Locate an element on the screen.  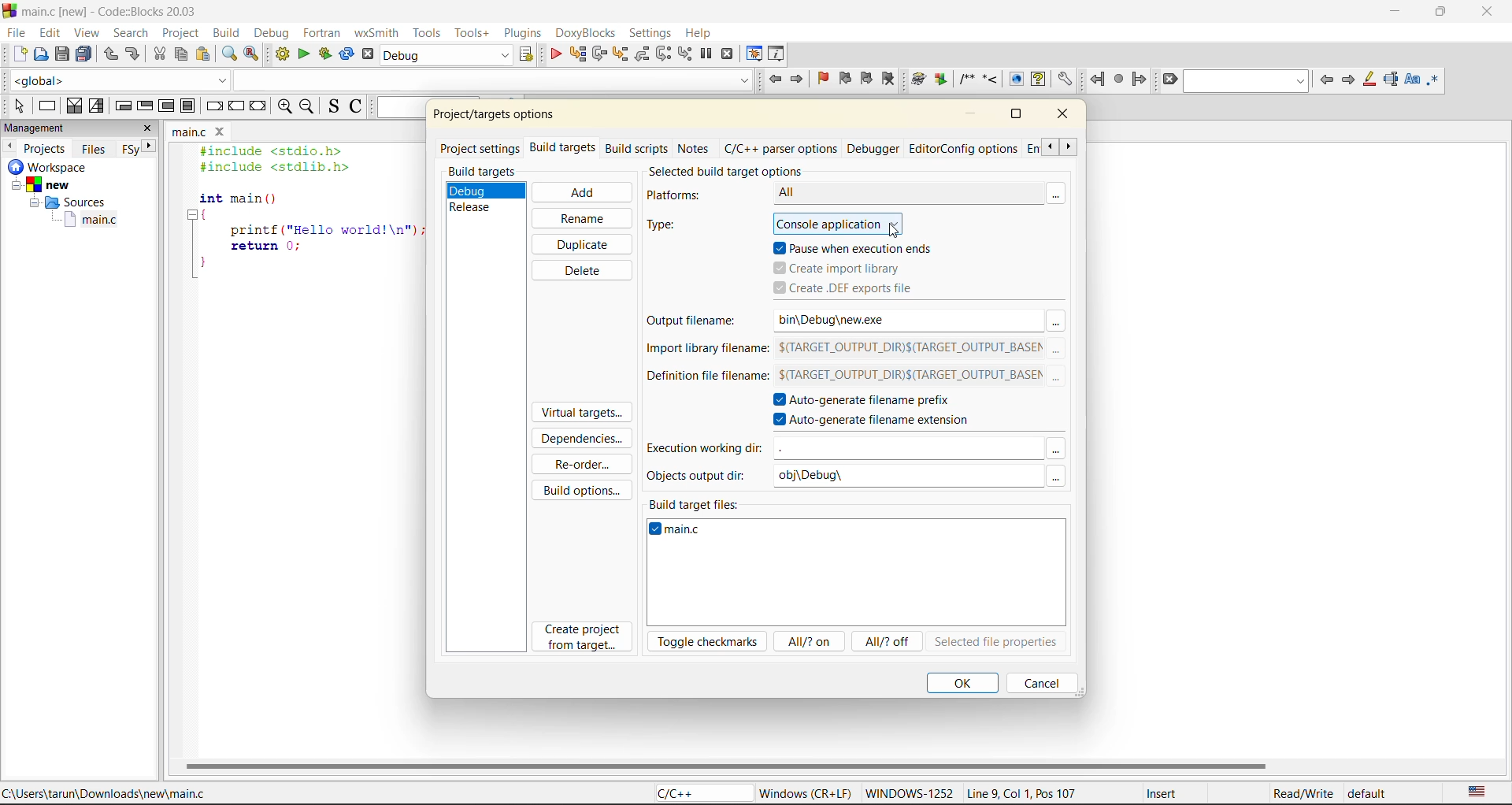
execution working dir: is located at coordinates (705, 446).